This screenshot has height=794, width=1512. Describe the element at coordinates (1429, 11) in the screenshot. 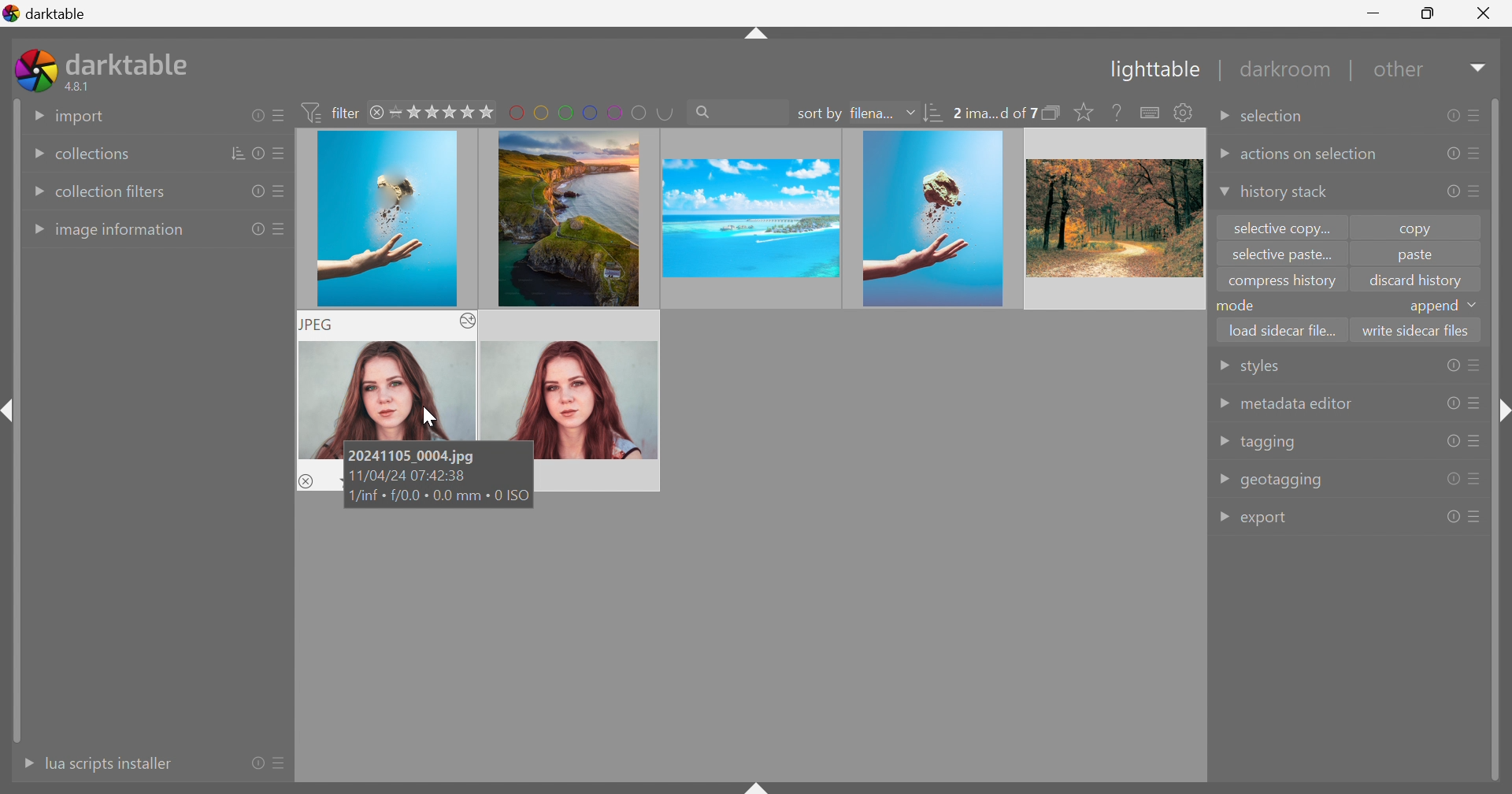

I see `Restore Down` at that location.